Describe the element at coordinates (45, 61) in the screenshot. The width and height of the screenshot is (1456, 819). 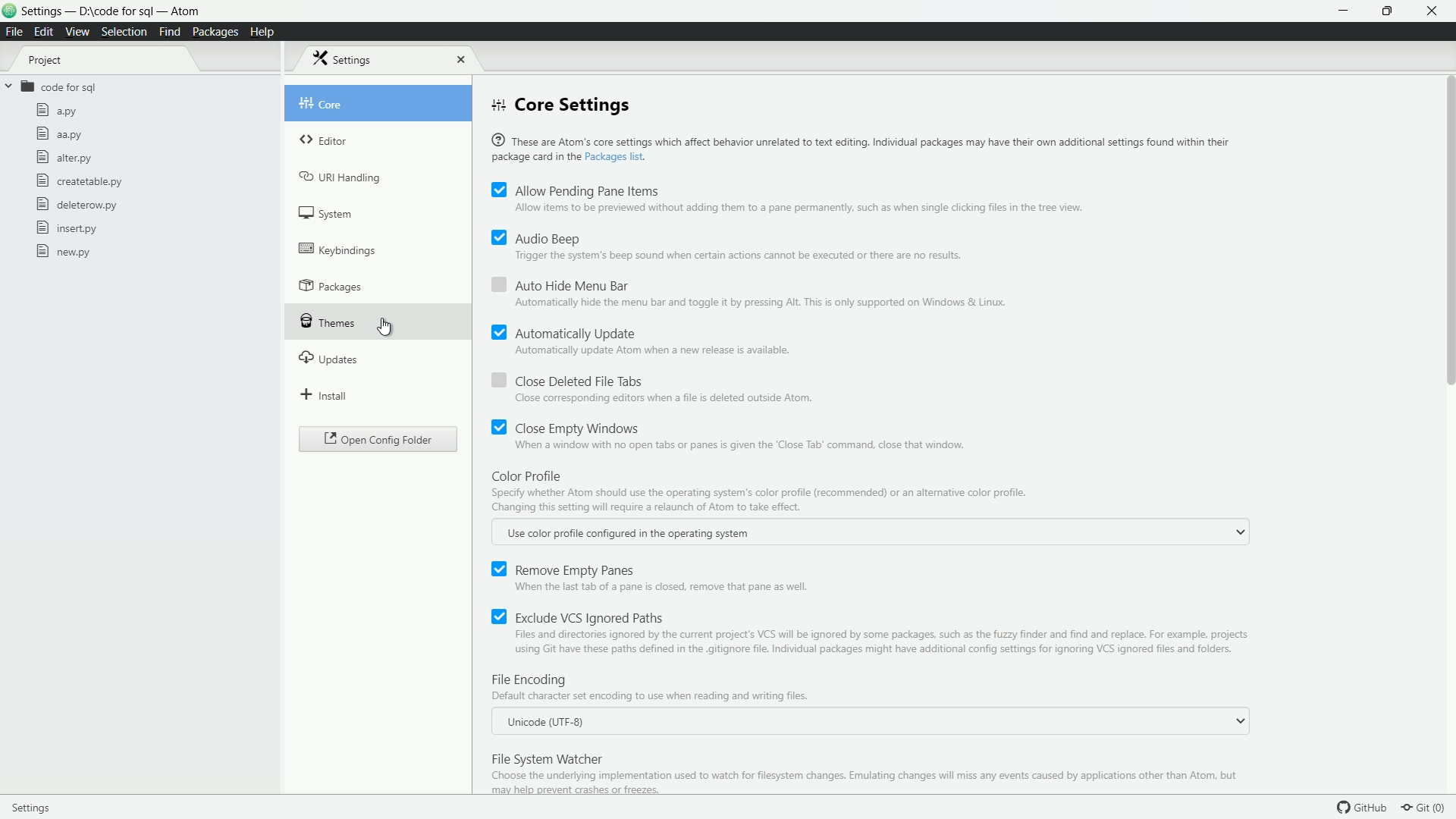
I see `project tab` at that location.